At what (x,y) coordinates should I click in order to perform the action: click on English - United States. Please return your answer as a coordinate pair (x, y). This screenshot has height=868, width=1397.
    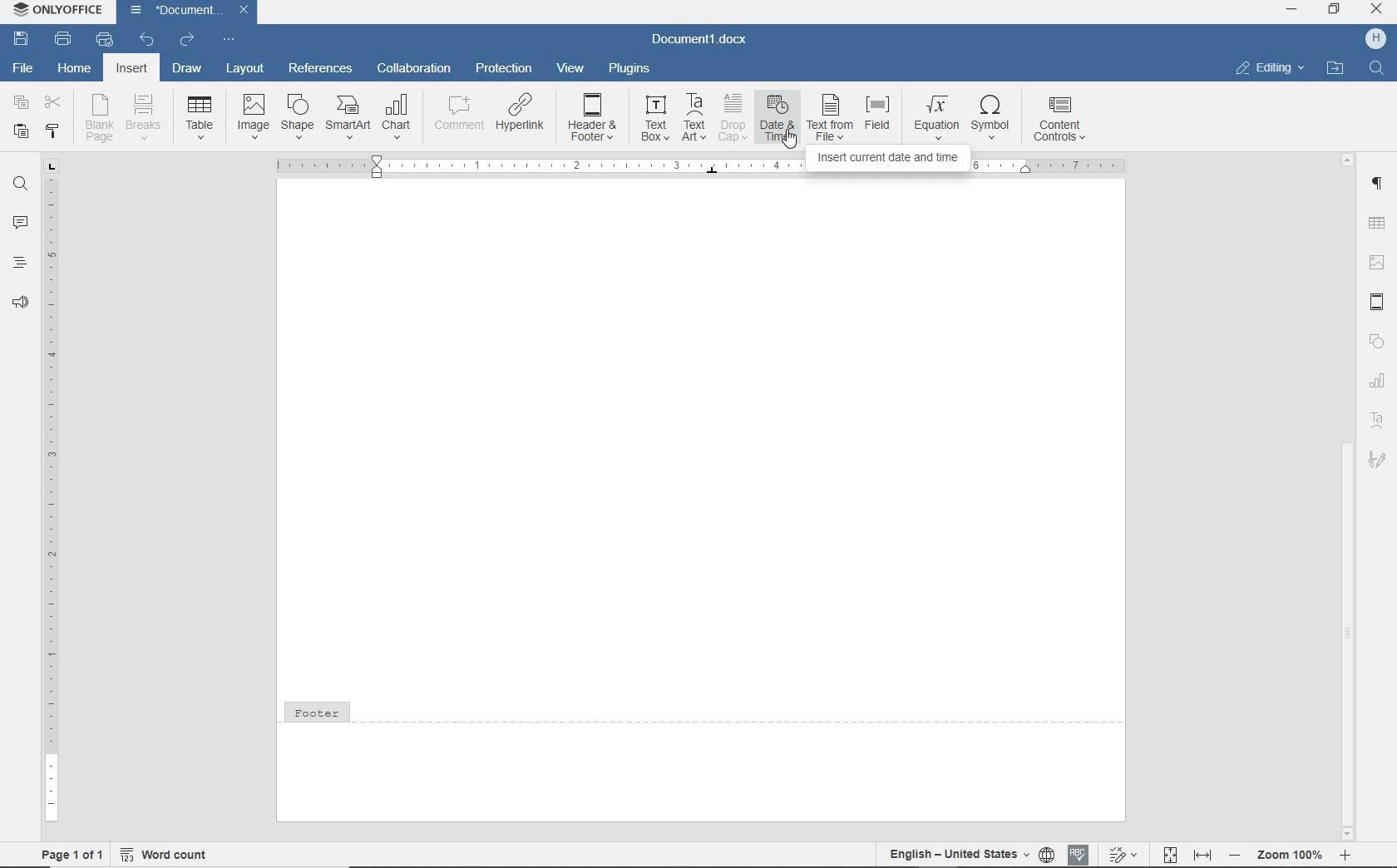
    Looking at the image, I should click on (953, 851).